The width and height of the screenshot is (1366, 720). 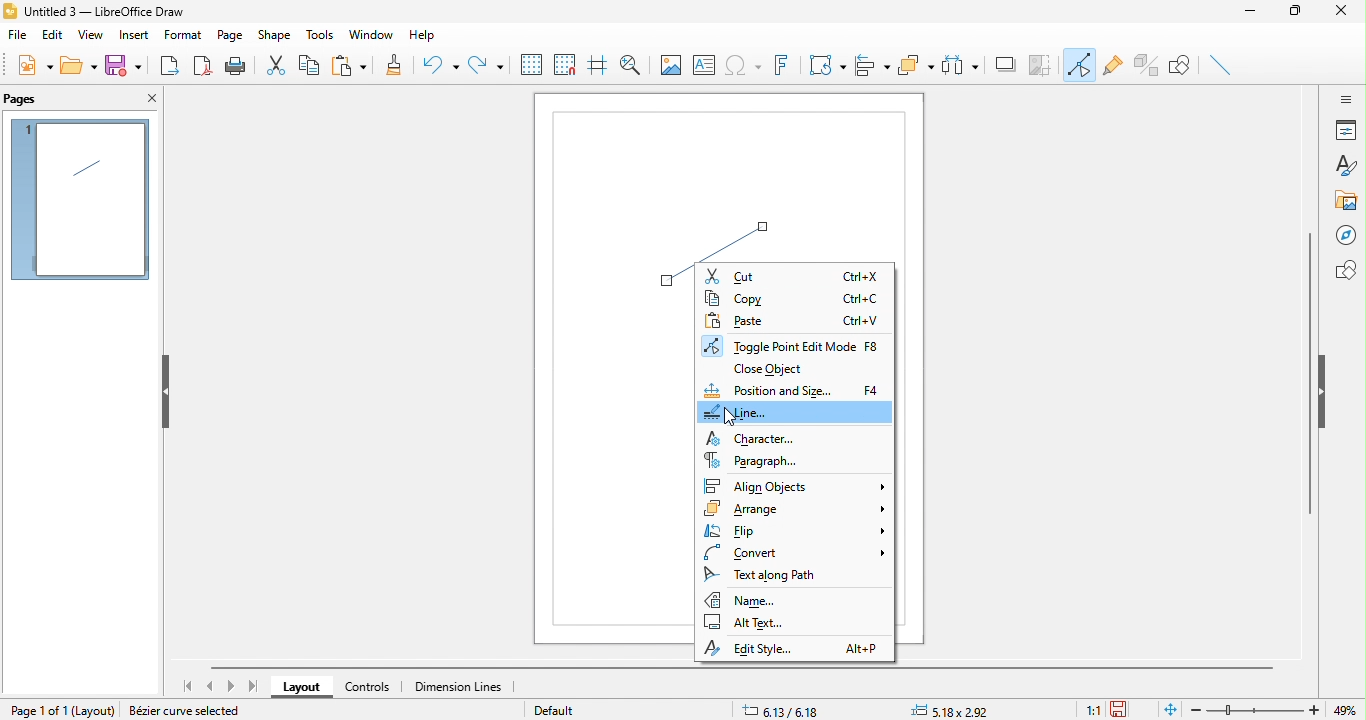 I want to click on line, so click(x=796, y=412).